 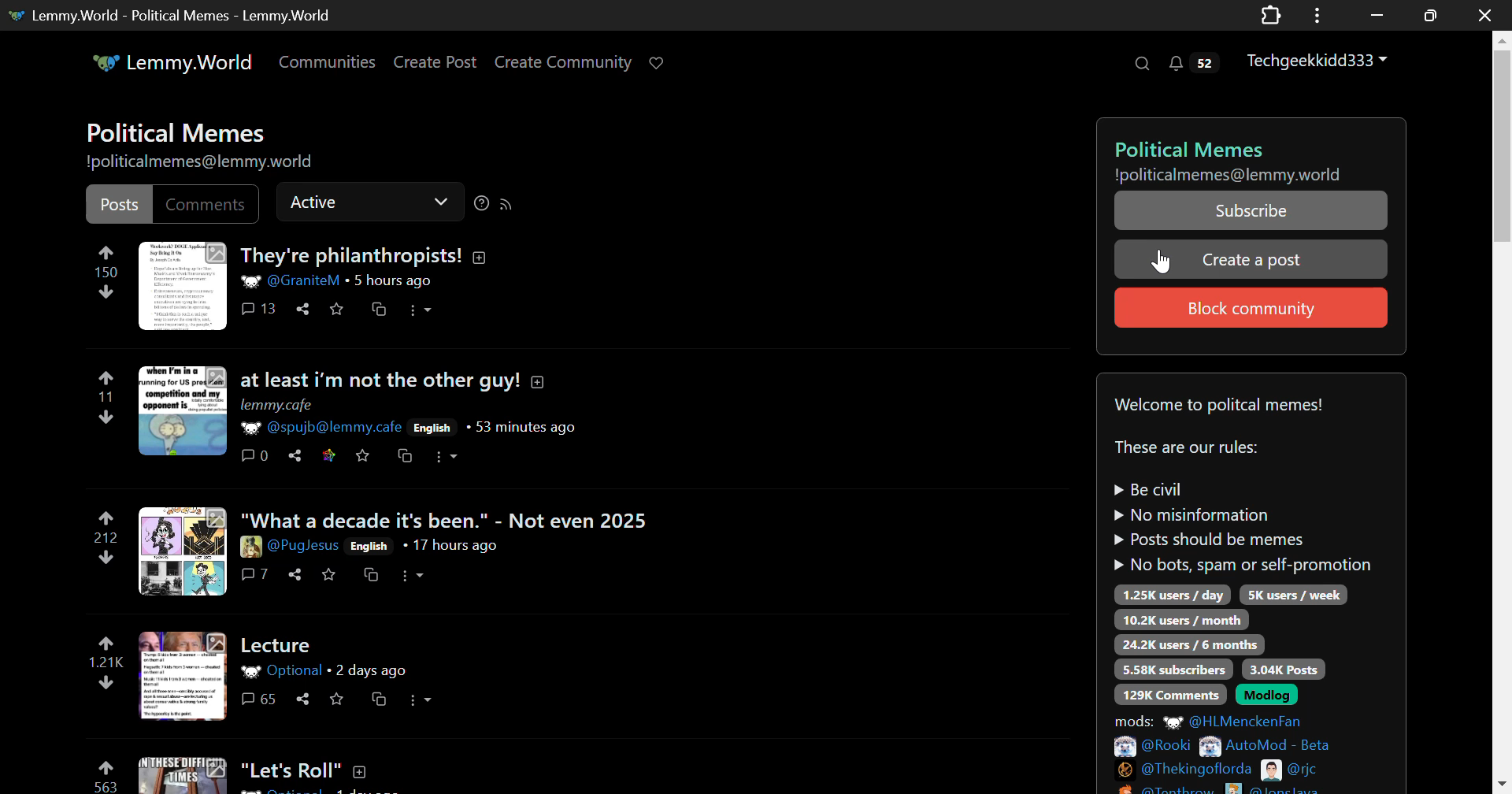 I want to click on Lemmy.World, so click(x=171, y=61).